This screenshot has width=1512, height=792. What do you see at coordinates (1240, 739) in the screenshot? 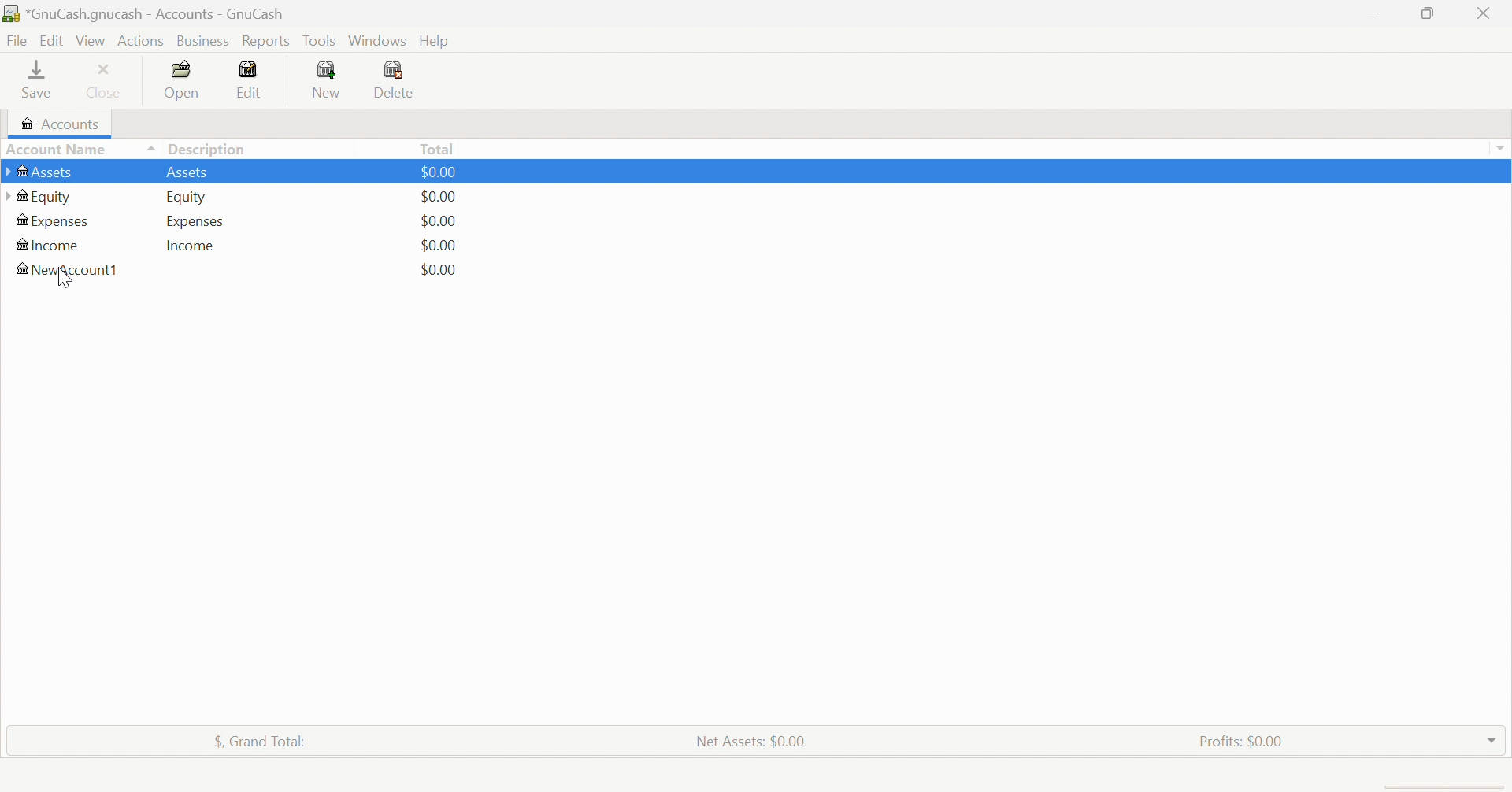
I see `Profits: $0.00` at bounding box center [1240, 739].